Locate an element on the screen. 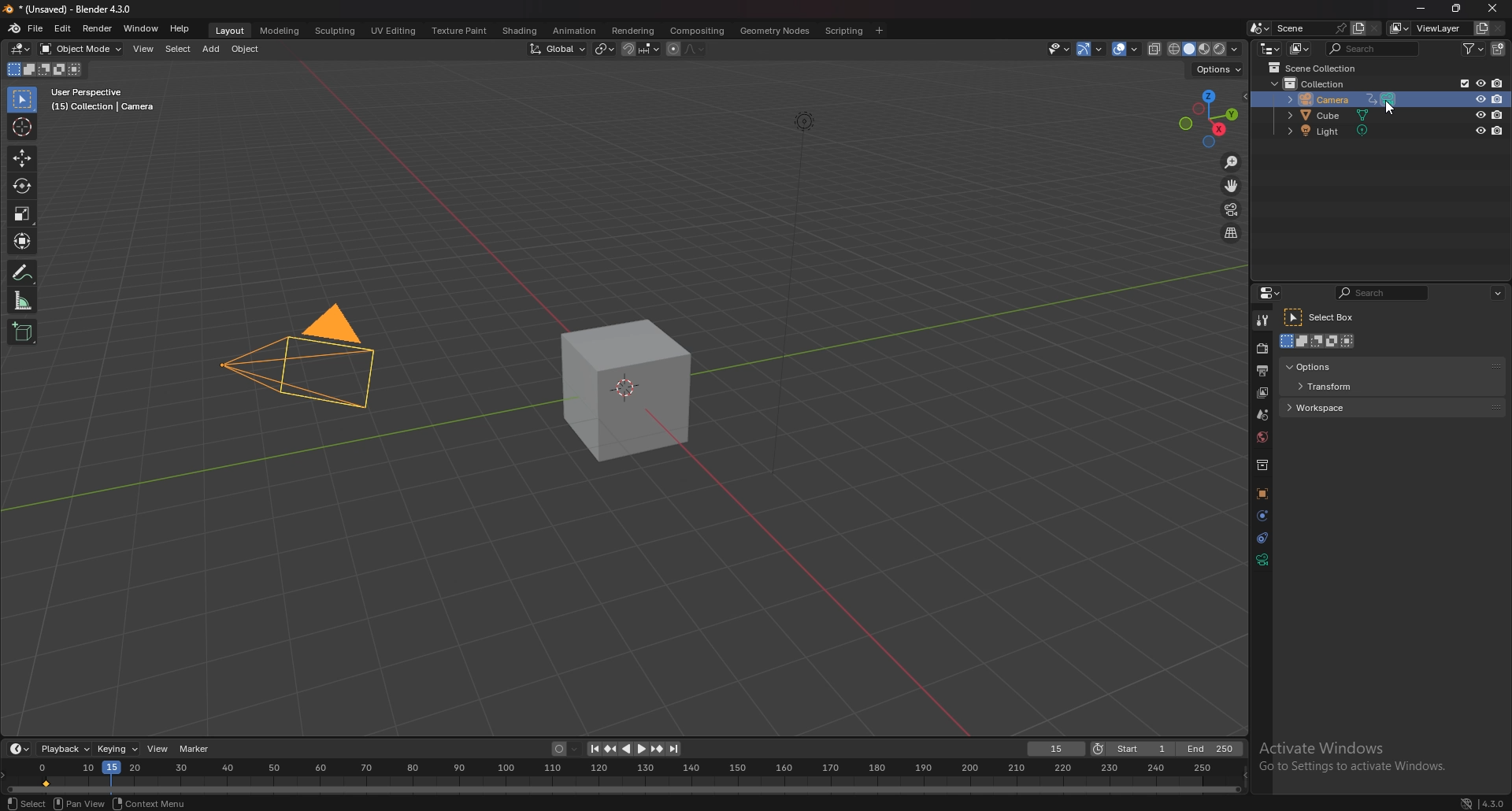 The width and height of the screenshot is (1512, 811). transform pivot point is located at coordinates (603, 49).